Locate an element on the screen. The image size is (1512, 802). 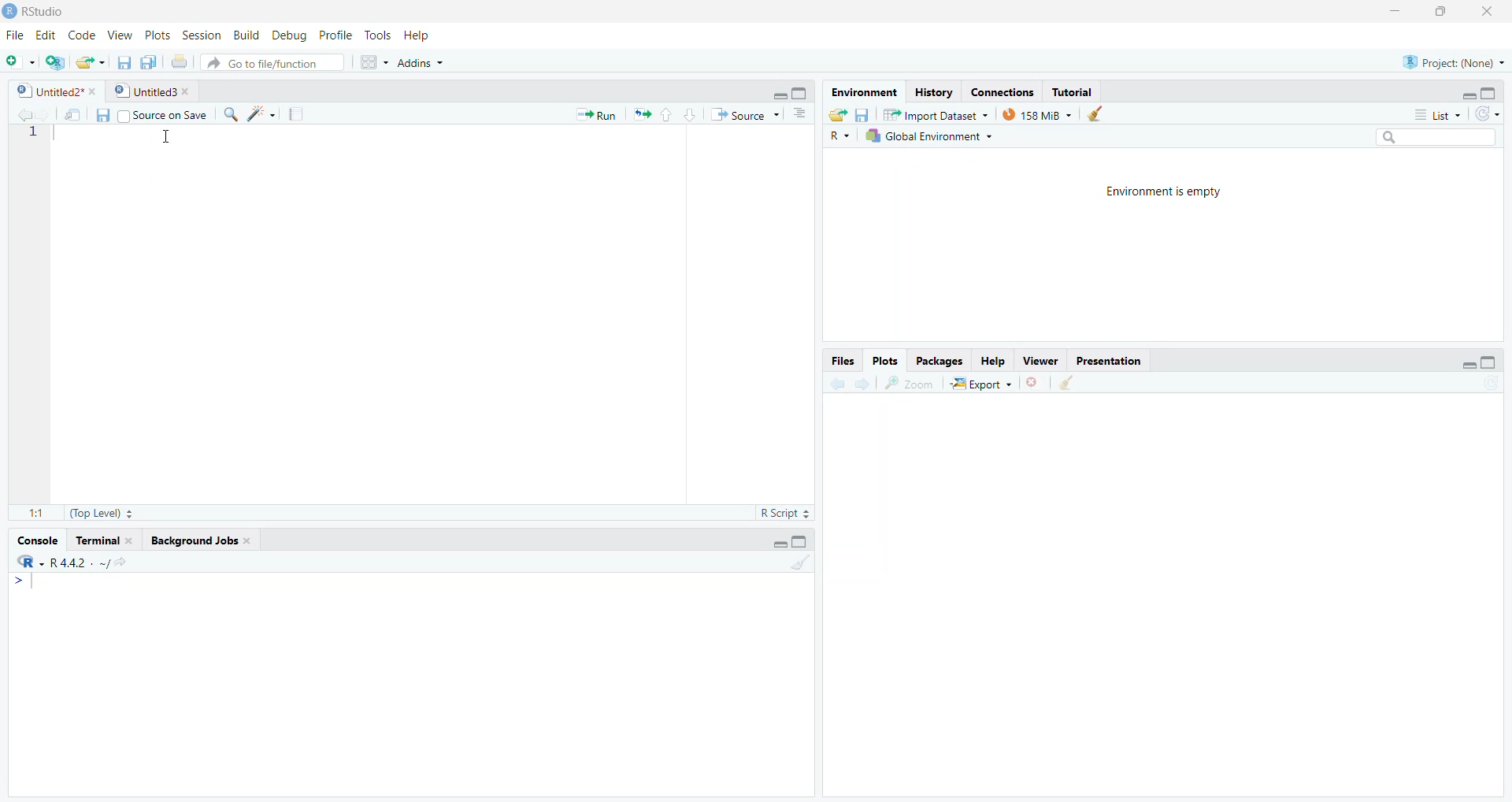
Complie report is located at coordinates (300, 114).